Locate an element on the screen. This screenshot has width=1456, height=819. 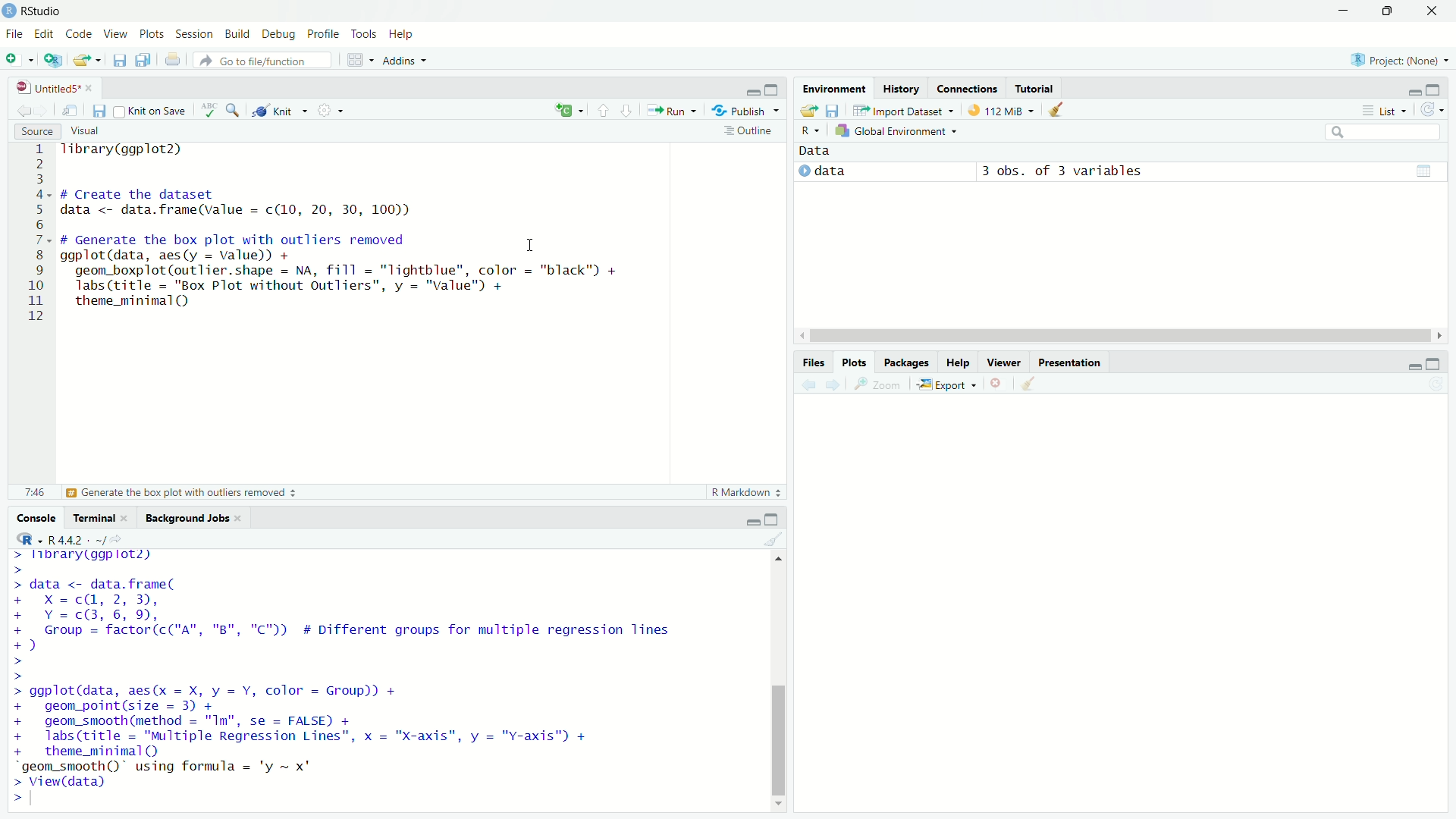
view is located at coordinates (1425, 168).